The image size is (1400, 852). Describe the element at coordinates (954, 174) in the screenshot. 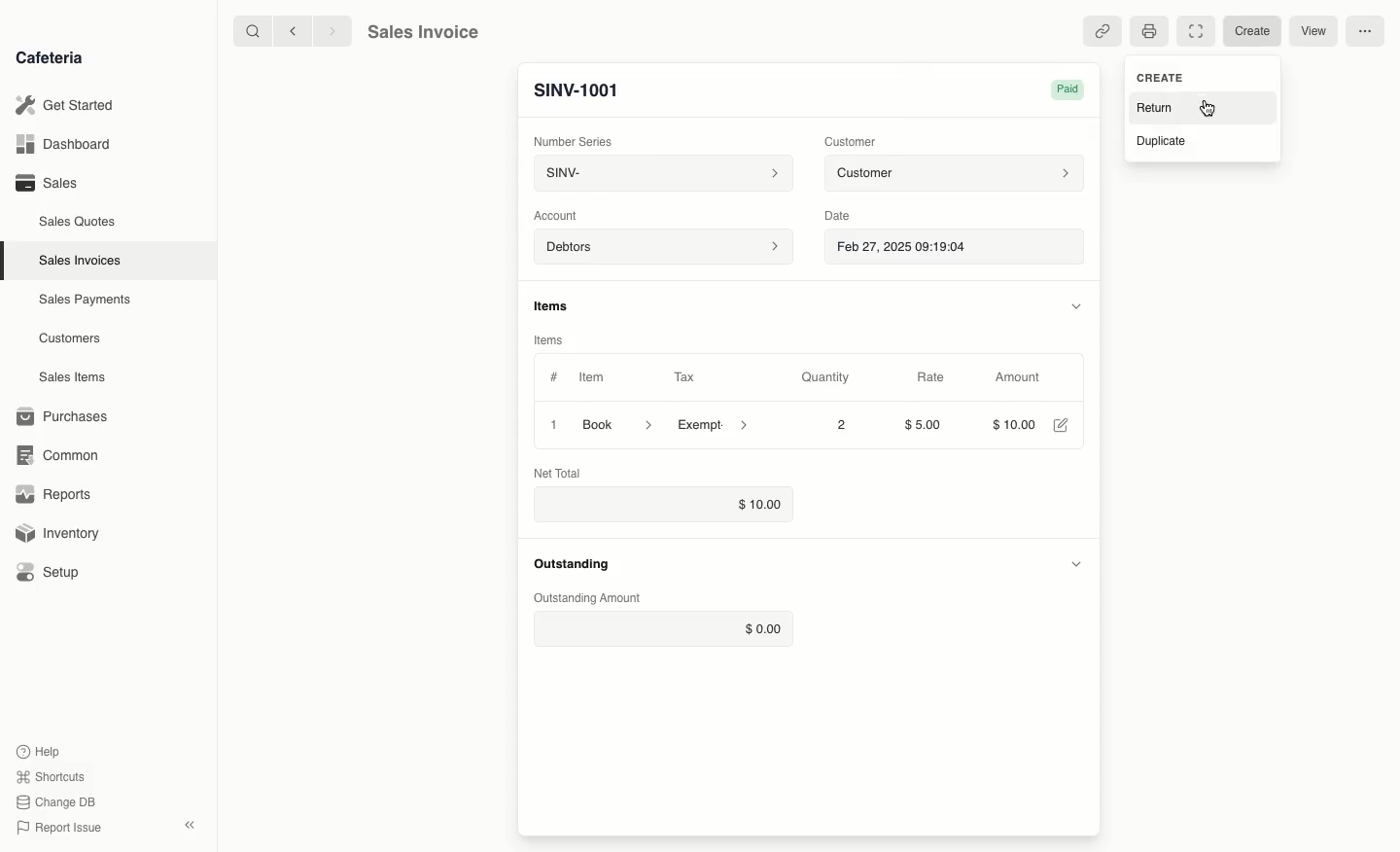

I see `Customer` at that location.